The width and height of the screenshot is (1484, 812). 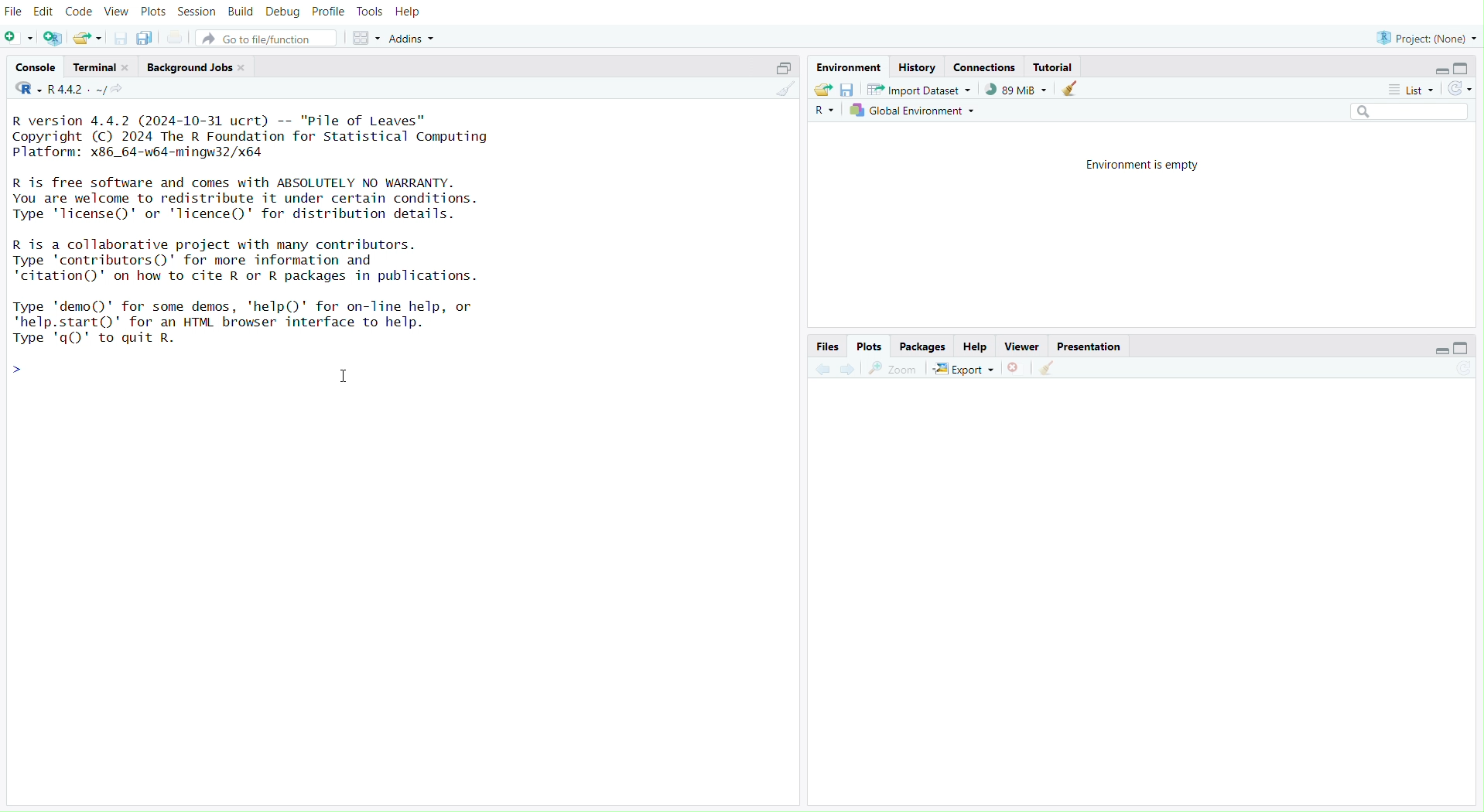 What do you see at coordinates (850, 64) in the screenshot?
I see `Environment` at bounding box center [850, 64].